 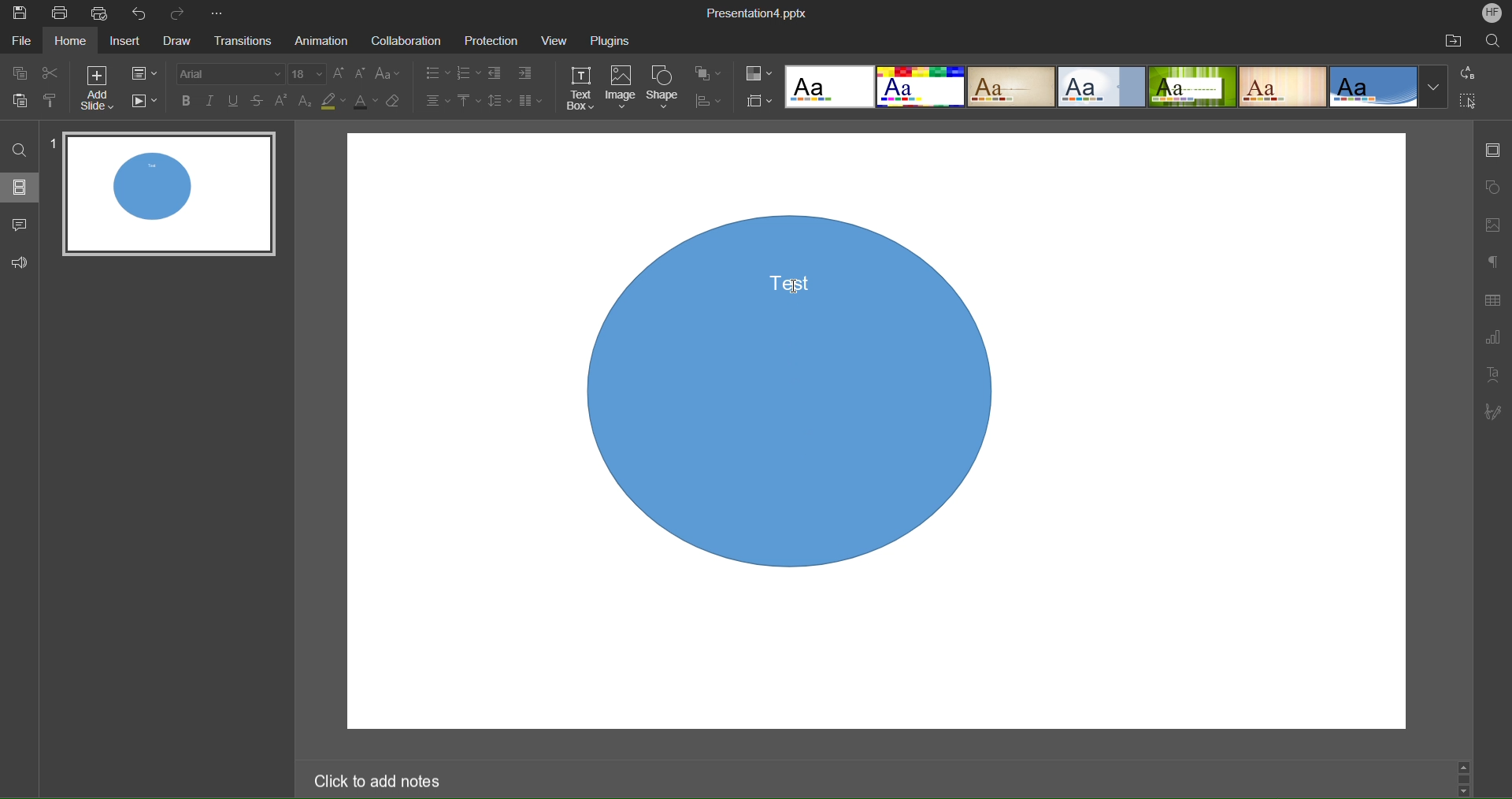 I want to click on Image Setting, so click(x=1492, y=225).